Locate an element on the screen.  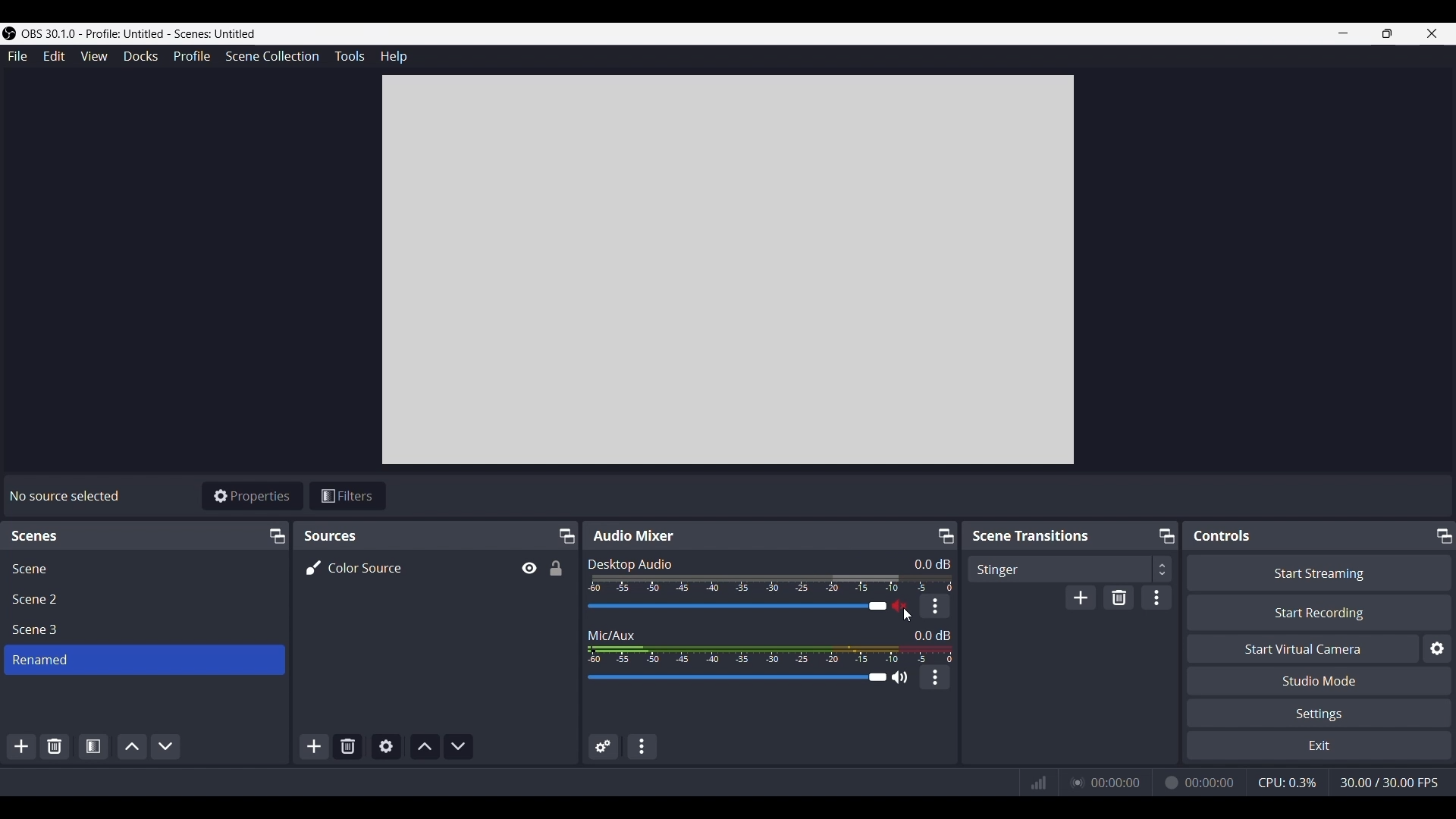
Studio mode is located at coordinates (1318, 681).